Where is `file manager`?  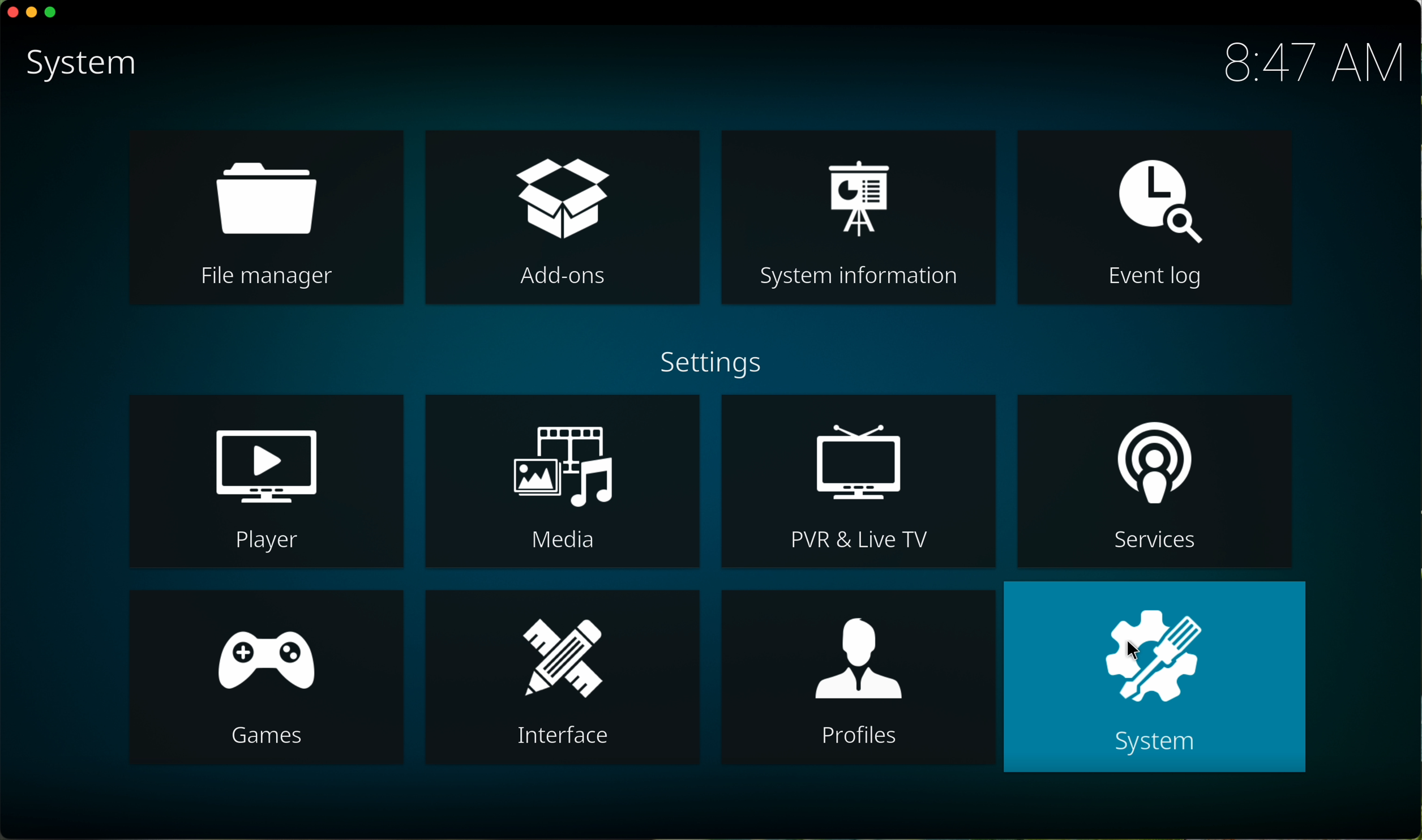
file manager is located at coordinates (268, 217).